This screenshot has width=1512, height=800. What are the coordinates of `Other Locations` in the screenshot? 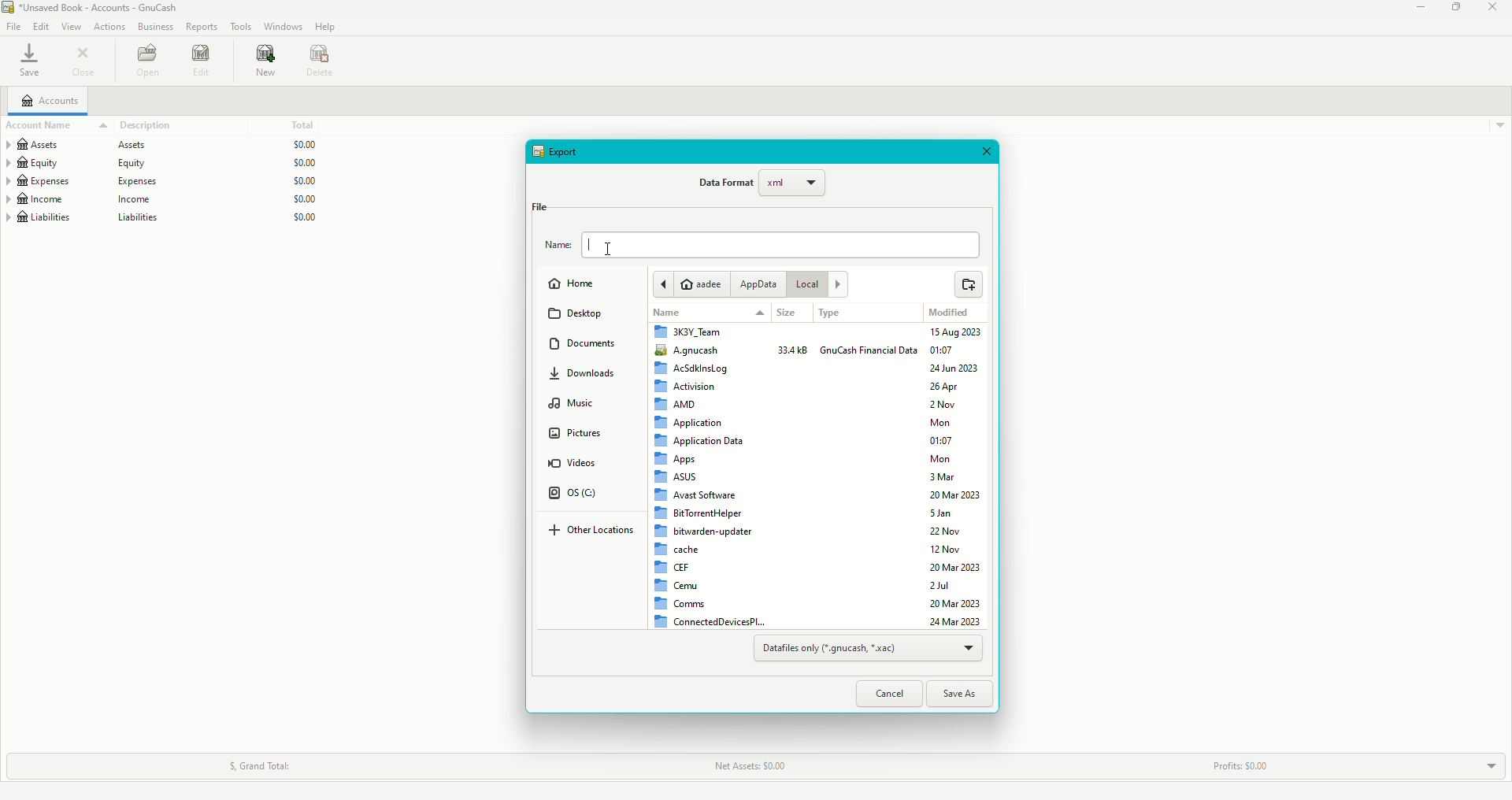 It's located at (595, 531).